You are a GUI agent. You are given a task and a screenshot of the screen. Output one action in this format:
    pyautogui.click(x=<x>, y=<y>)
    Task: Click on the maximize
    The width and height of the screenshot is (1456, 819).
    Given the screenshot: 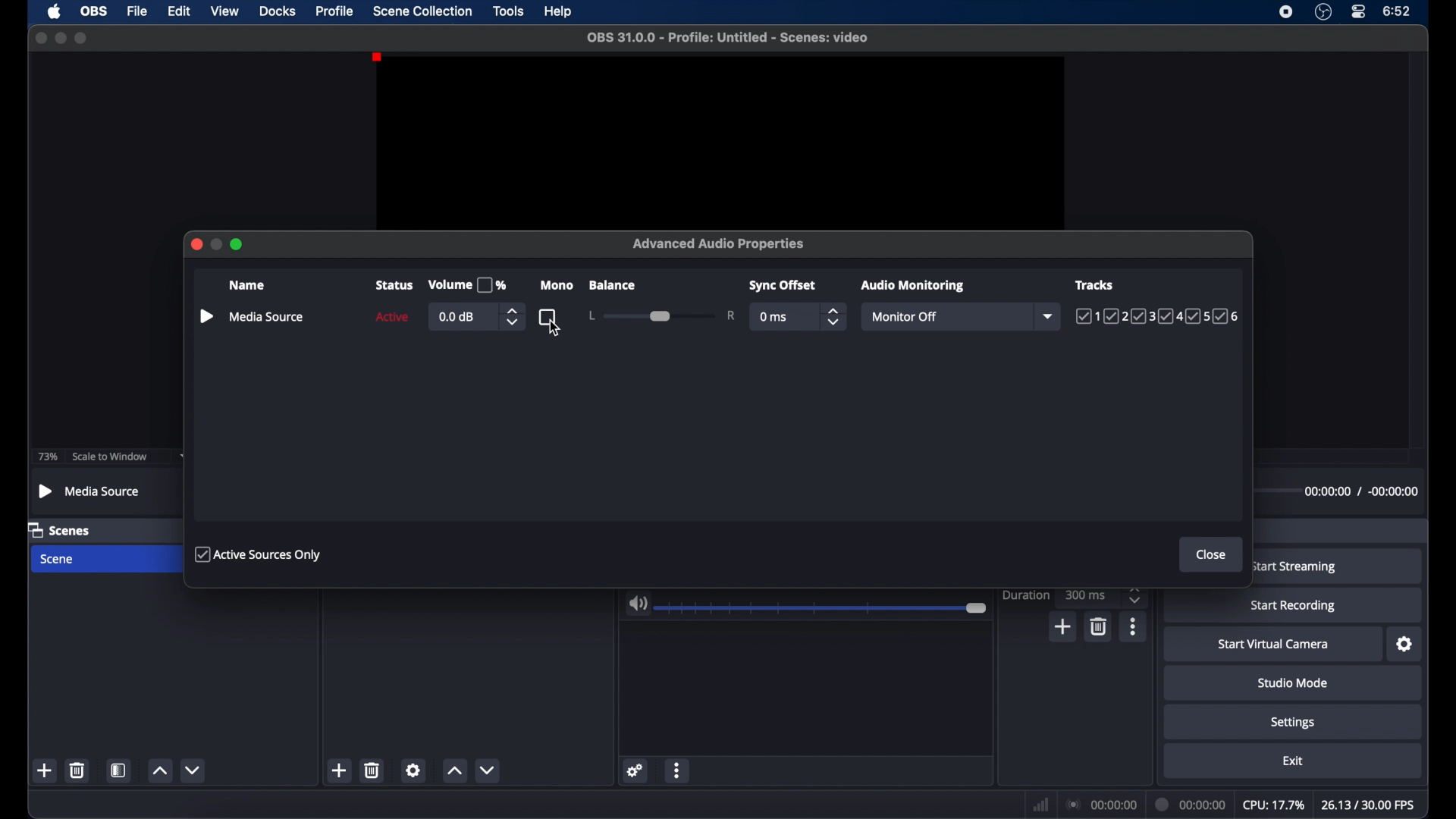 What is the action you would take?
    pyautogui.click(x=238, y=245)
    